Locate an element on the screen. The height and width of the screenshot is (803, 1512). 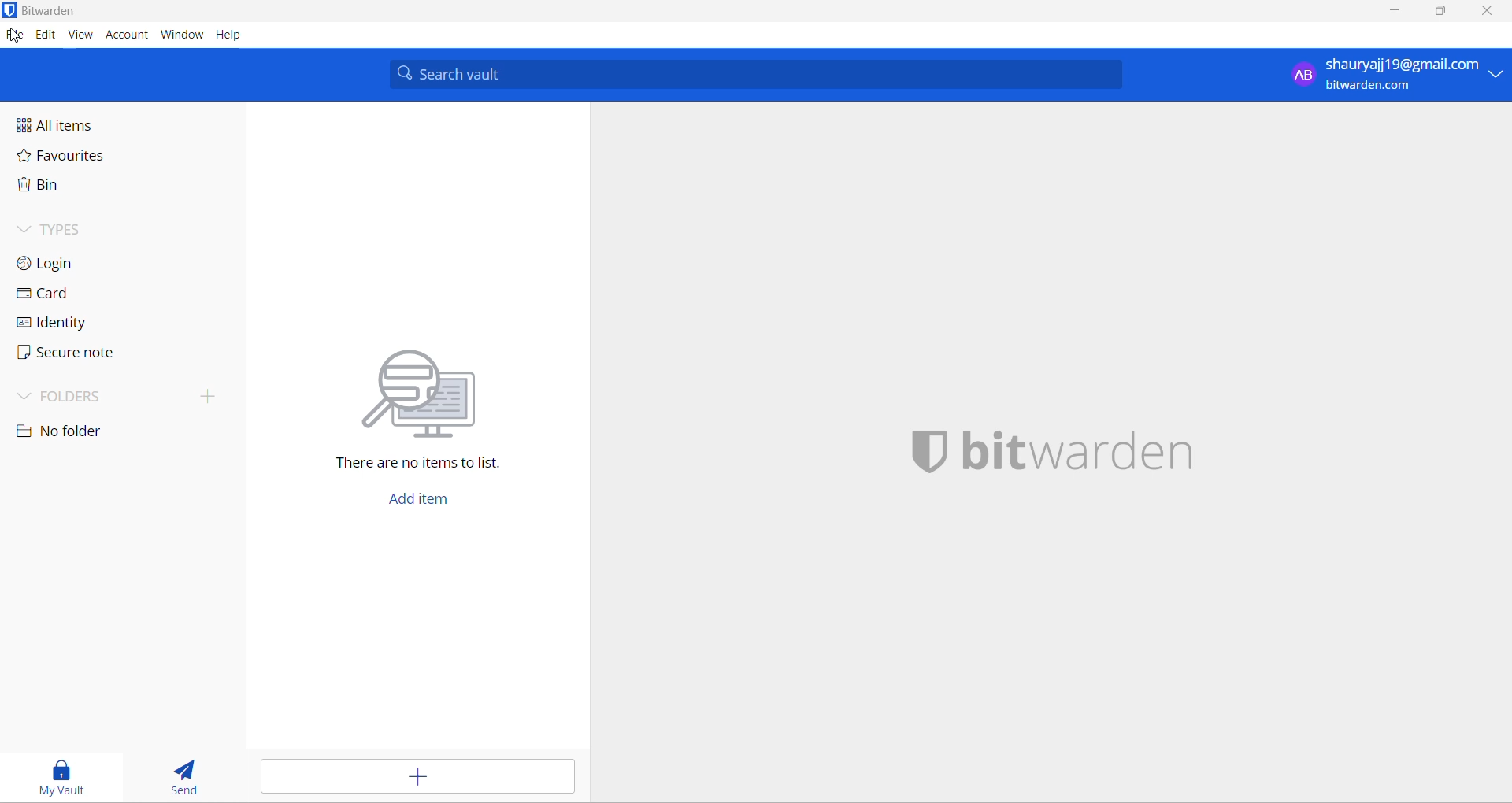
secure note is located at coordinates (103, 356).